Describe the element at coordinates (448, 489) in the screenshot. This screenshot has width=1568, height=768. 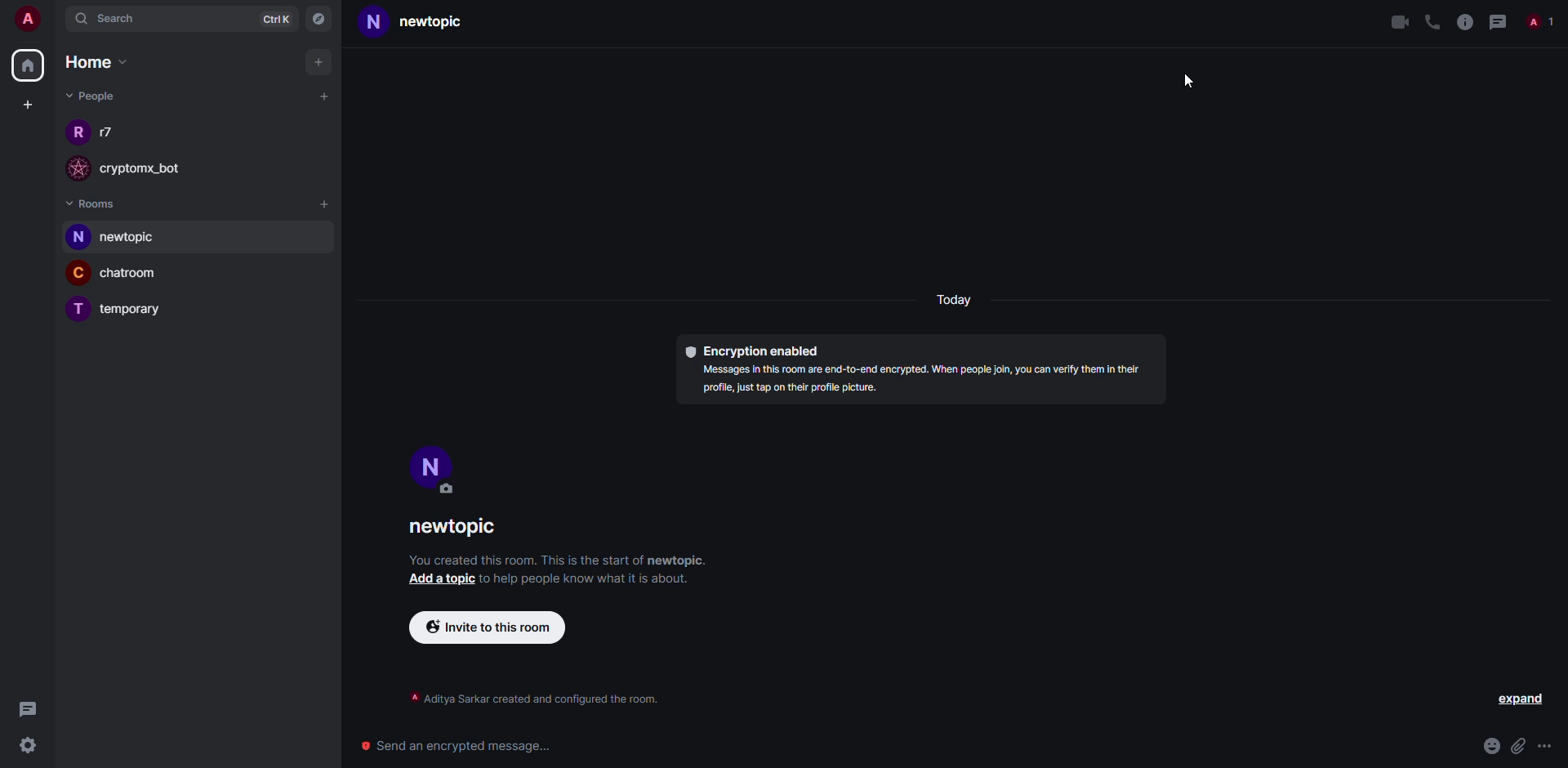
I see `edit` at that location.